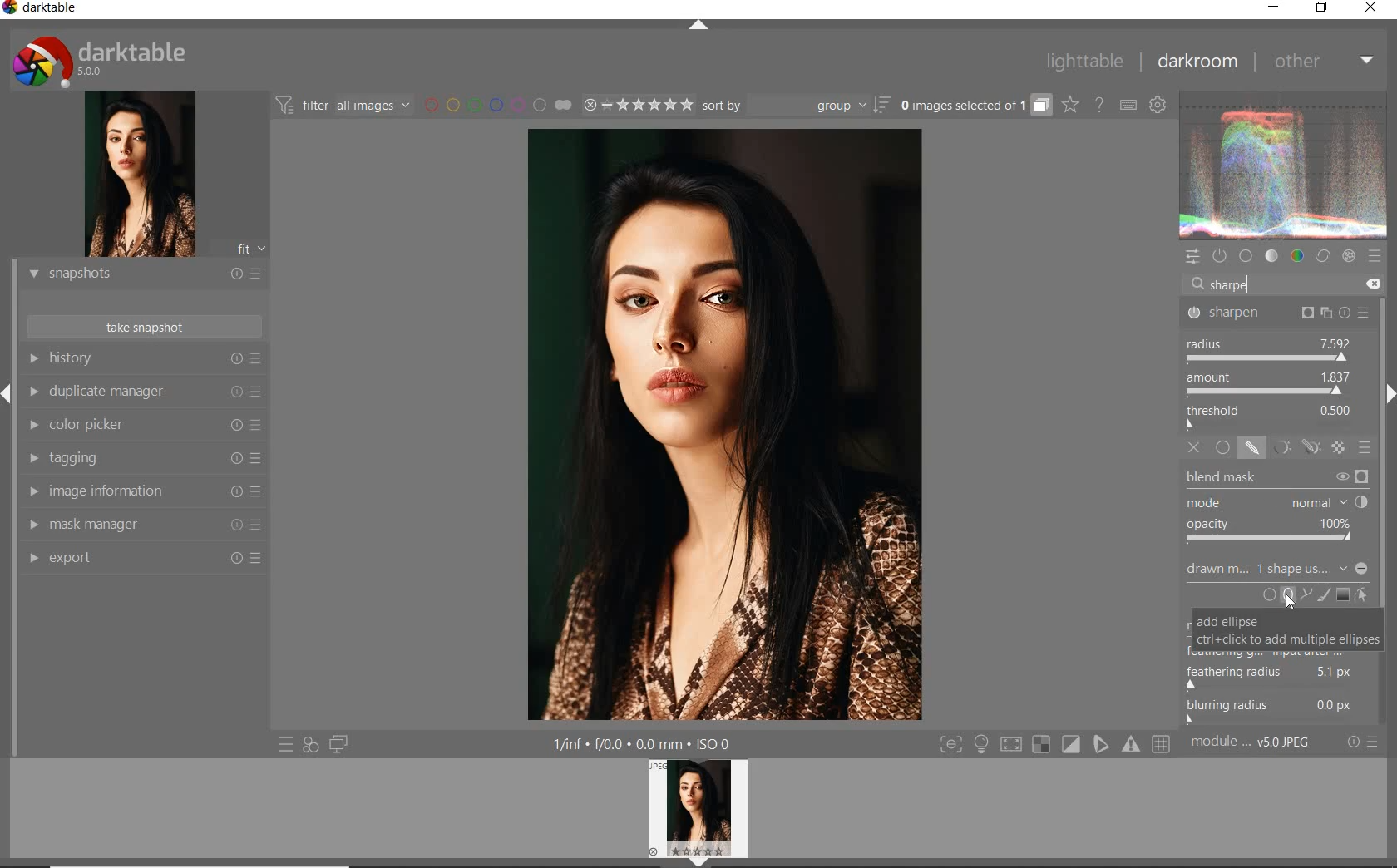 The image size is (1397, 868). Describe the element at coordinates (1072, 745) in the screenshot. I see `sign ` at that location.